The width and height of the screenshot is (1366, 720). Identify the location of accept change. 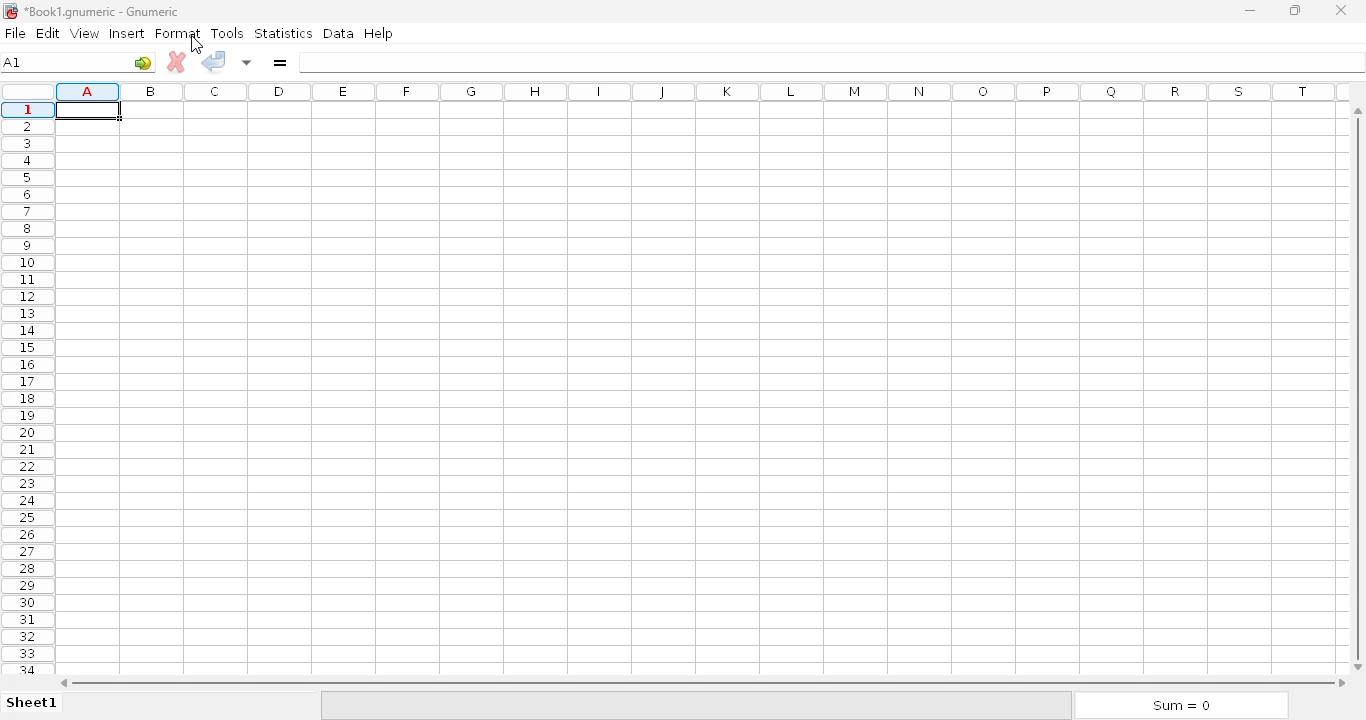
(214, 61).